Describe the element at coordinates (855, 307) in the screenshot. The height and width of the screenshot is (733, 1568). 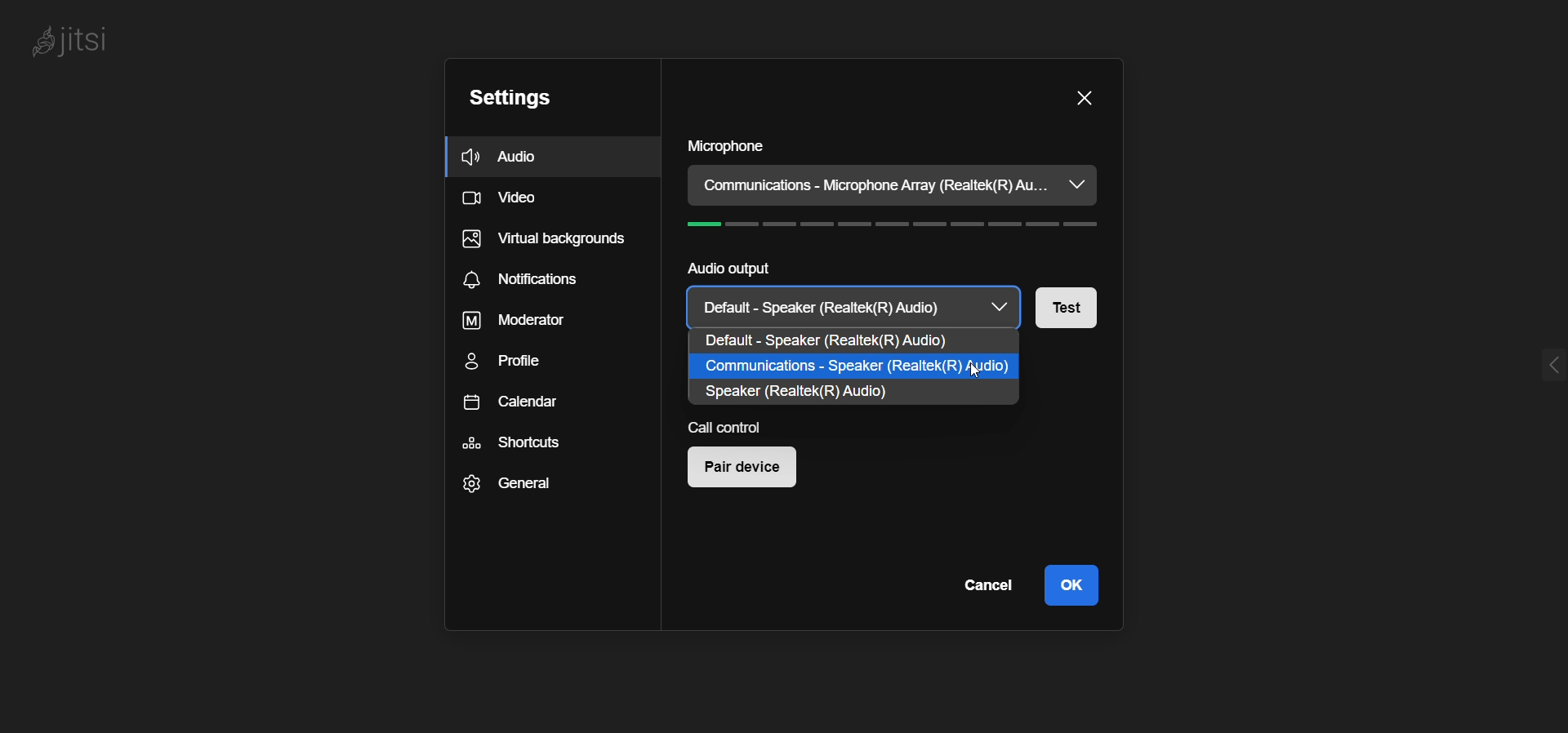
I see `audio output` at that location.